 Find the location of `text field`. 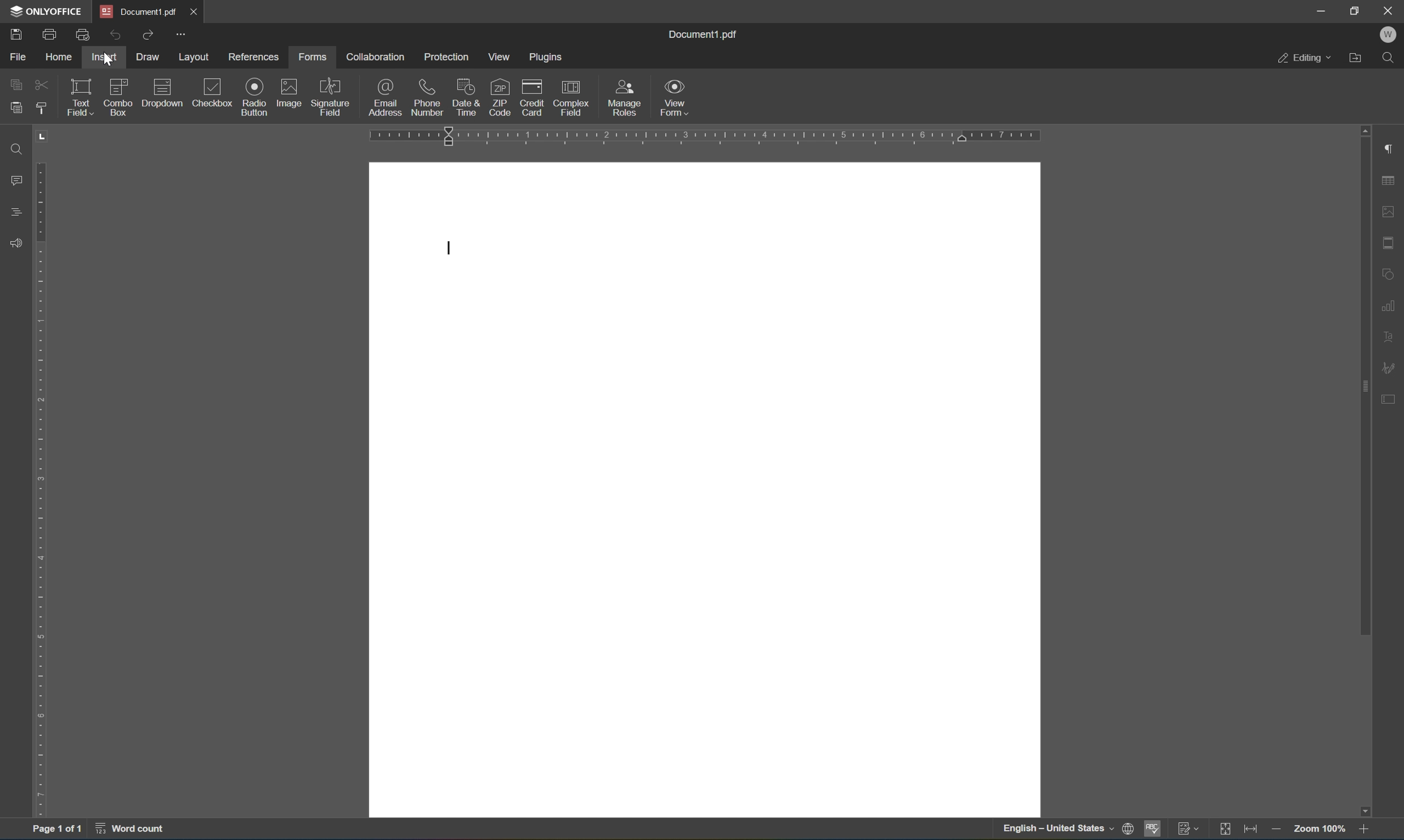

text field is located at coordinates (82, 97).